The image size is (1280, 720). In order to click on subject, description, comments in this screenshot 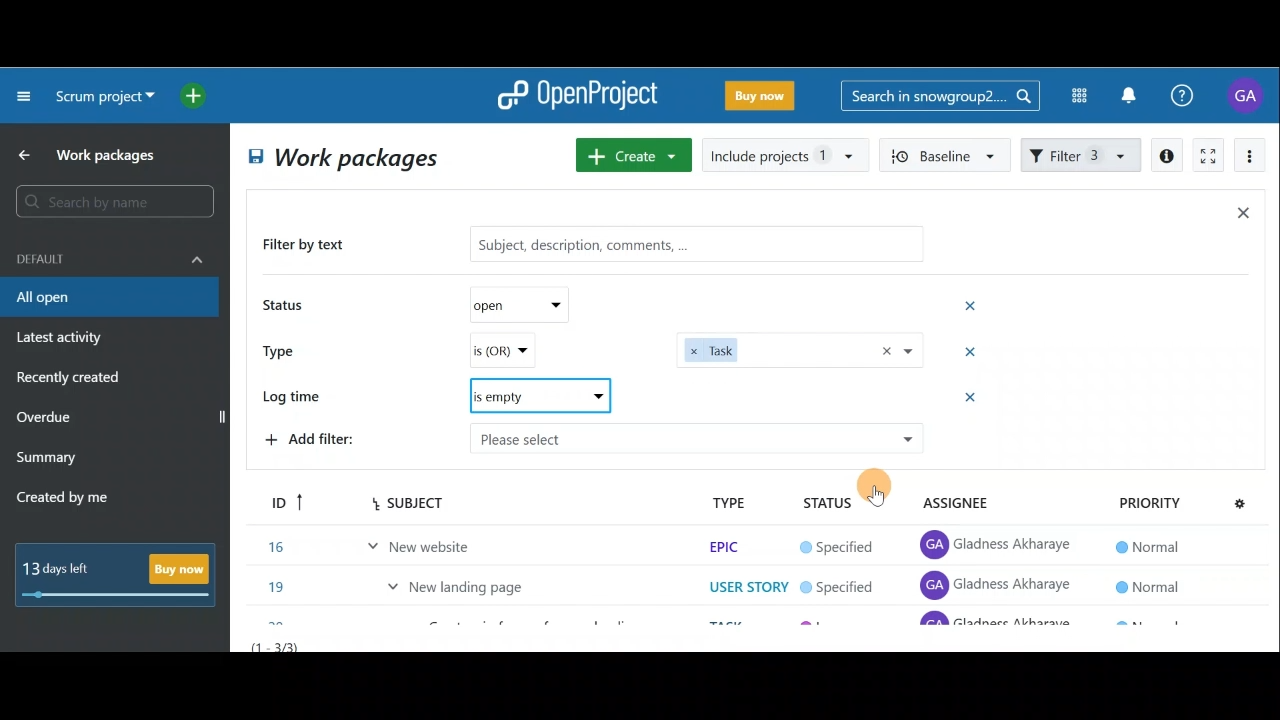, I will do `click(682, 243)`.